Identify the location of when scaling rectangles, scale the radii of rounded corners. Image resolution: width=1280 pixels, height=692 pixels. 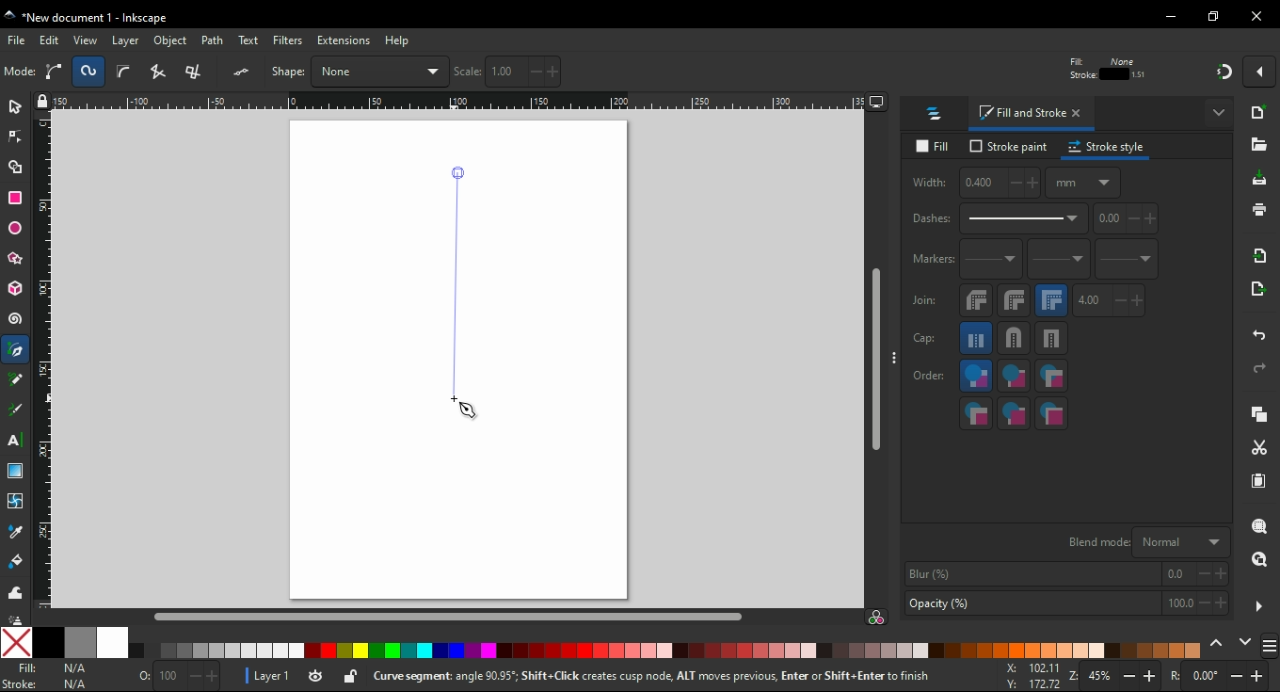
(1104, 72).